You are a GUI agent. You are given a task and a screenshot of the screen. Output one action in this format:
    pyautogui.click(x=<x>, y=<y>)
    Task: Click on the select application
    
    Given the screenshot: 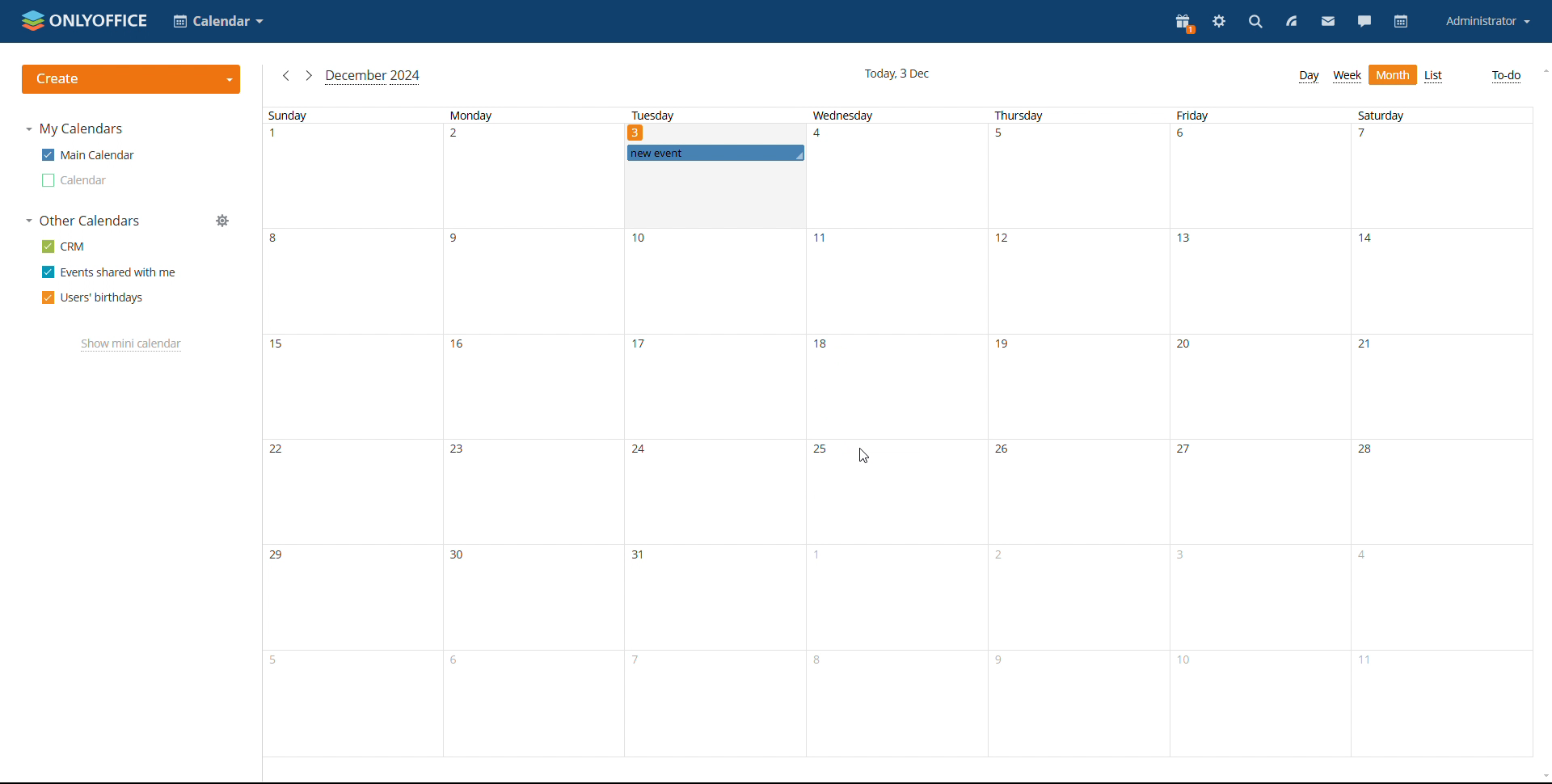 What is the action you would take?
    pyautogui.click(x=217, y=21)
    